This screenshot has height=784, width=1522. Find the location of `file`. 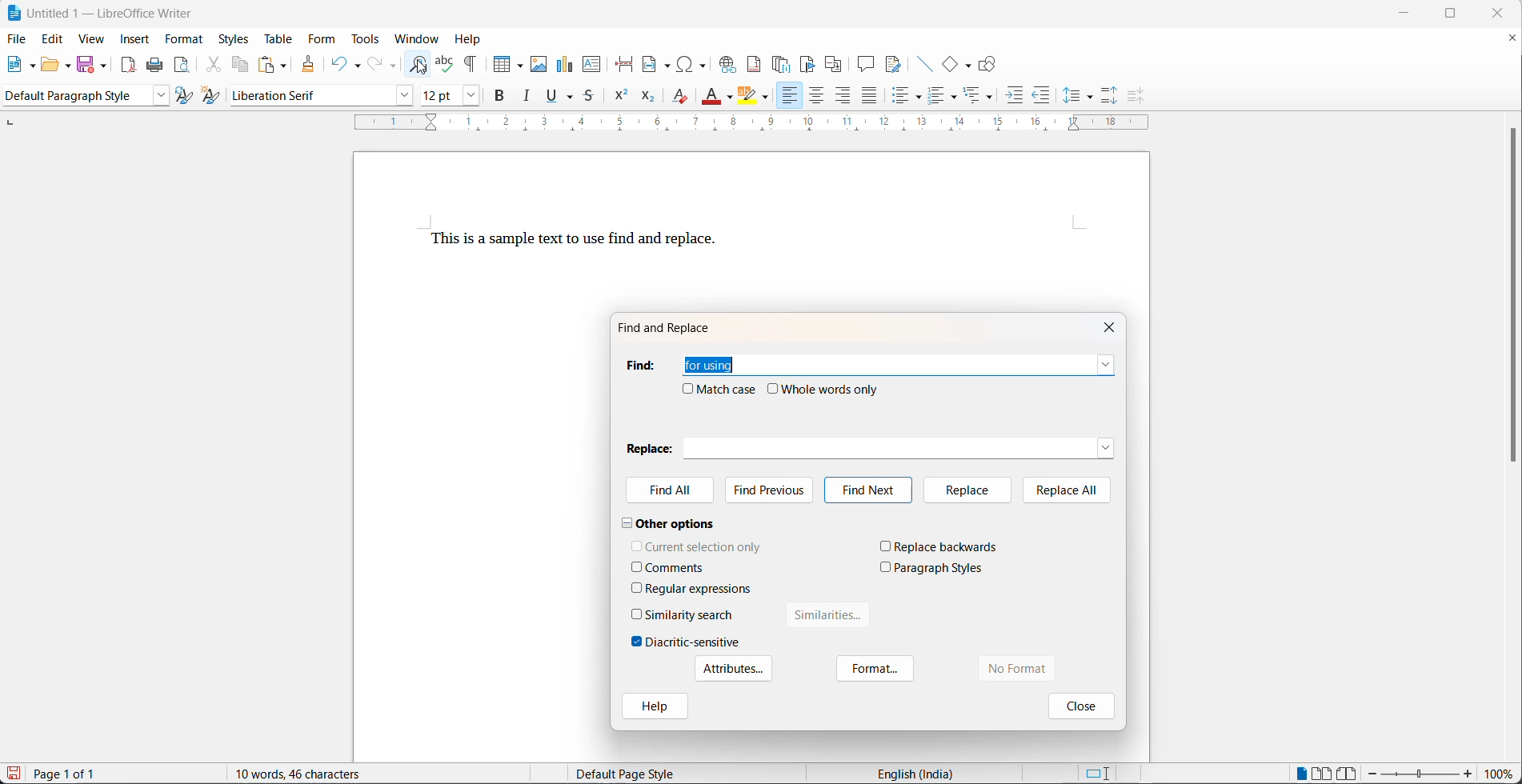

file is located at coordinates (18, 38).